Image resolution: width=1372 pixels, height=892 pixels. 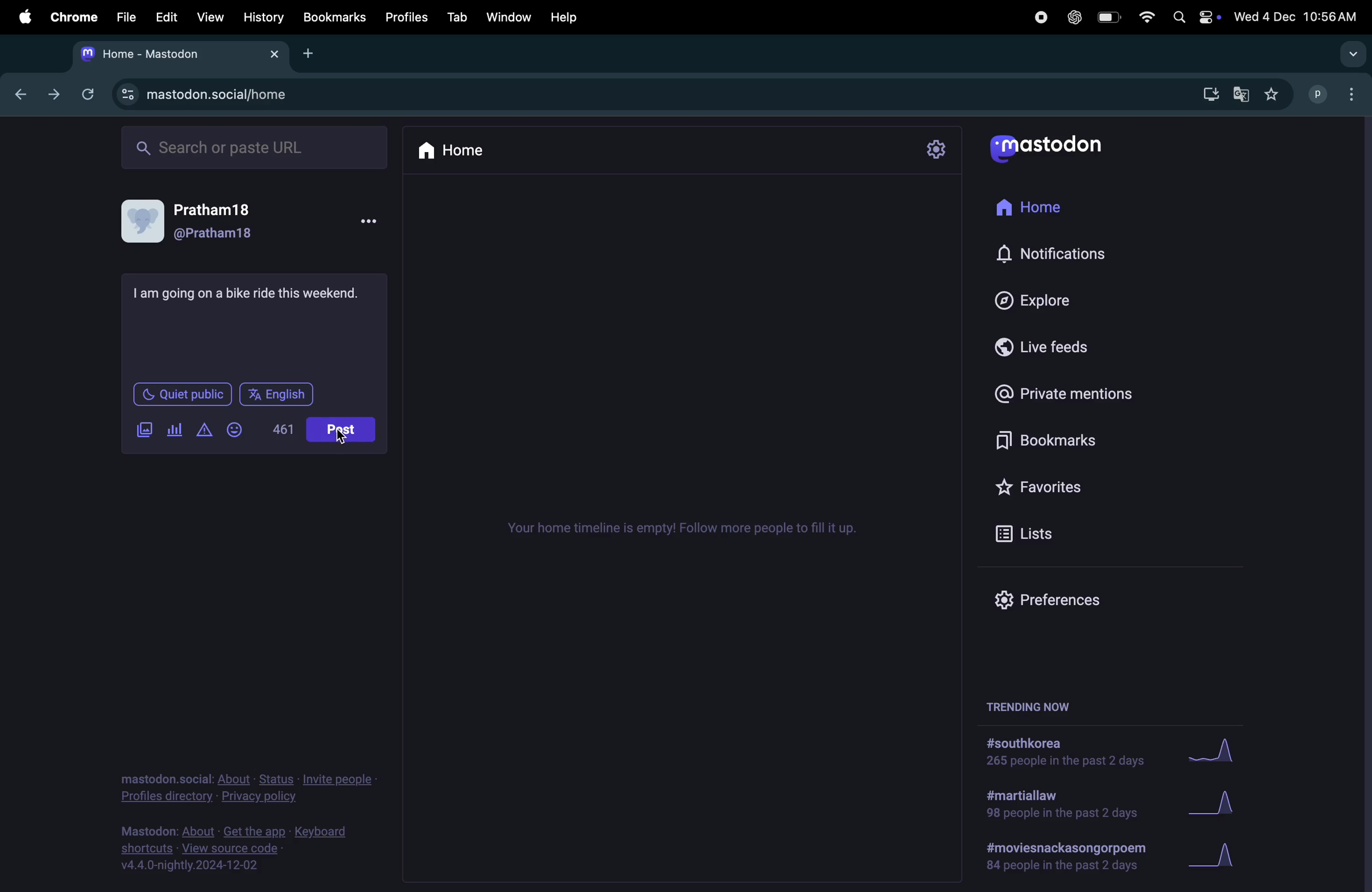 What do you see at coordinates (406, 16) in the screenshot?
I see `Profiles` at bounding box center [406, 16].